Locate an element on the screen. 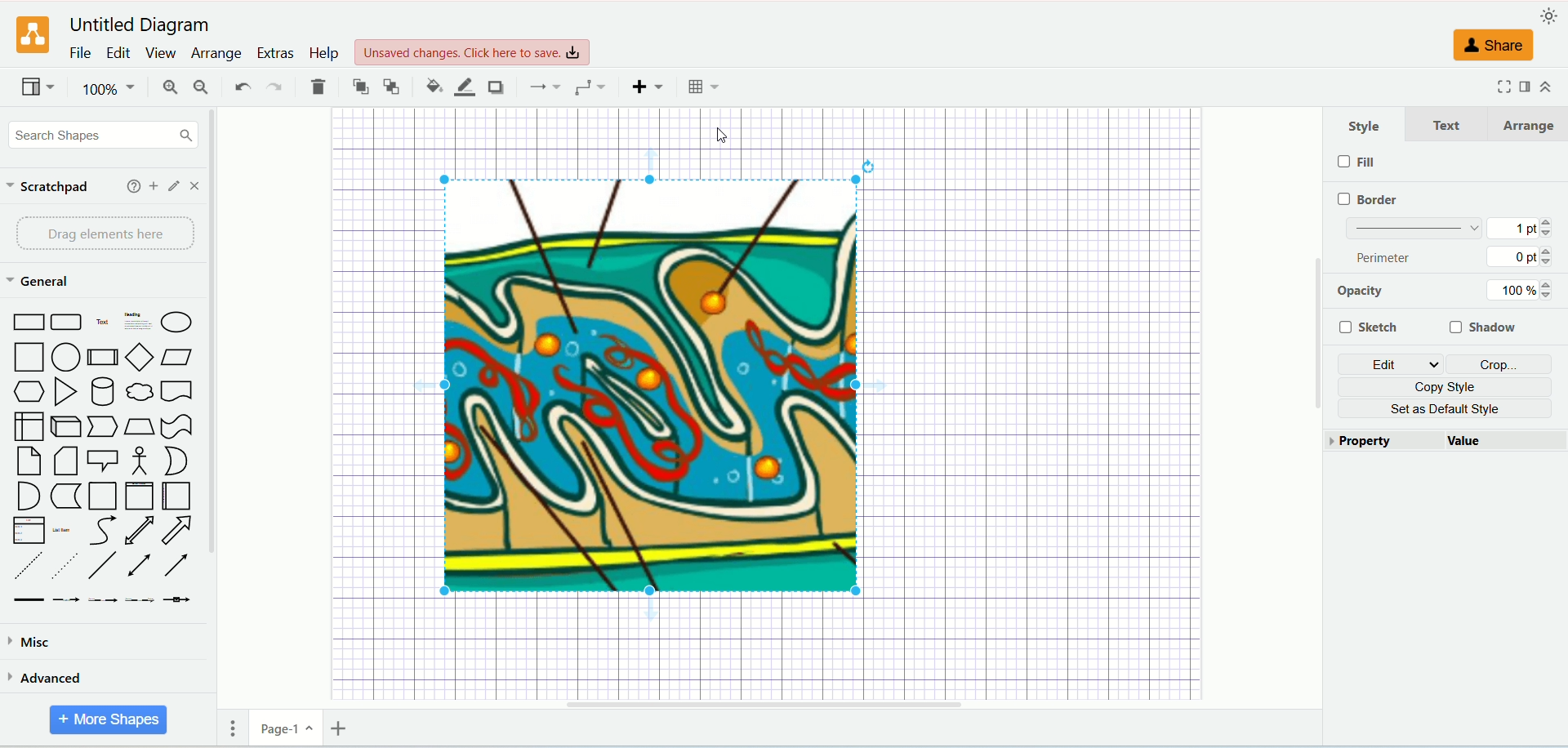 The image size is (1568, 748). Cylinder is located at coordinates (105, 394).